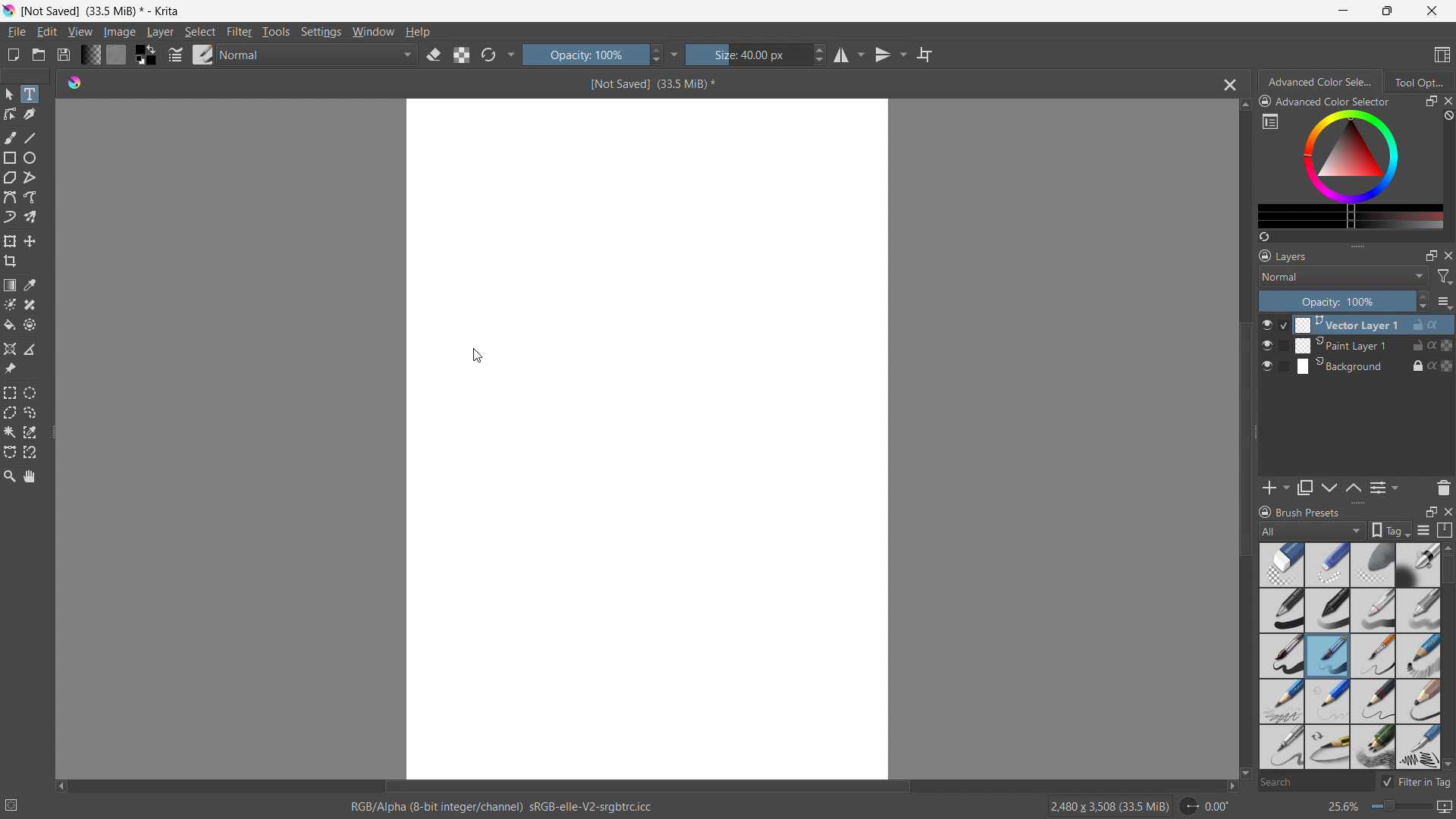  Describe the element at coordinates (30, 393) in the screenshot. I see `elliptical selection tool` at that location.